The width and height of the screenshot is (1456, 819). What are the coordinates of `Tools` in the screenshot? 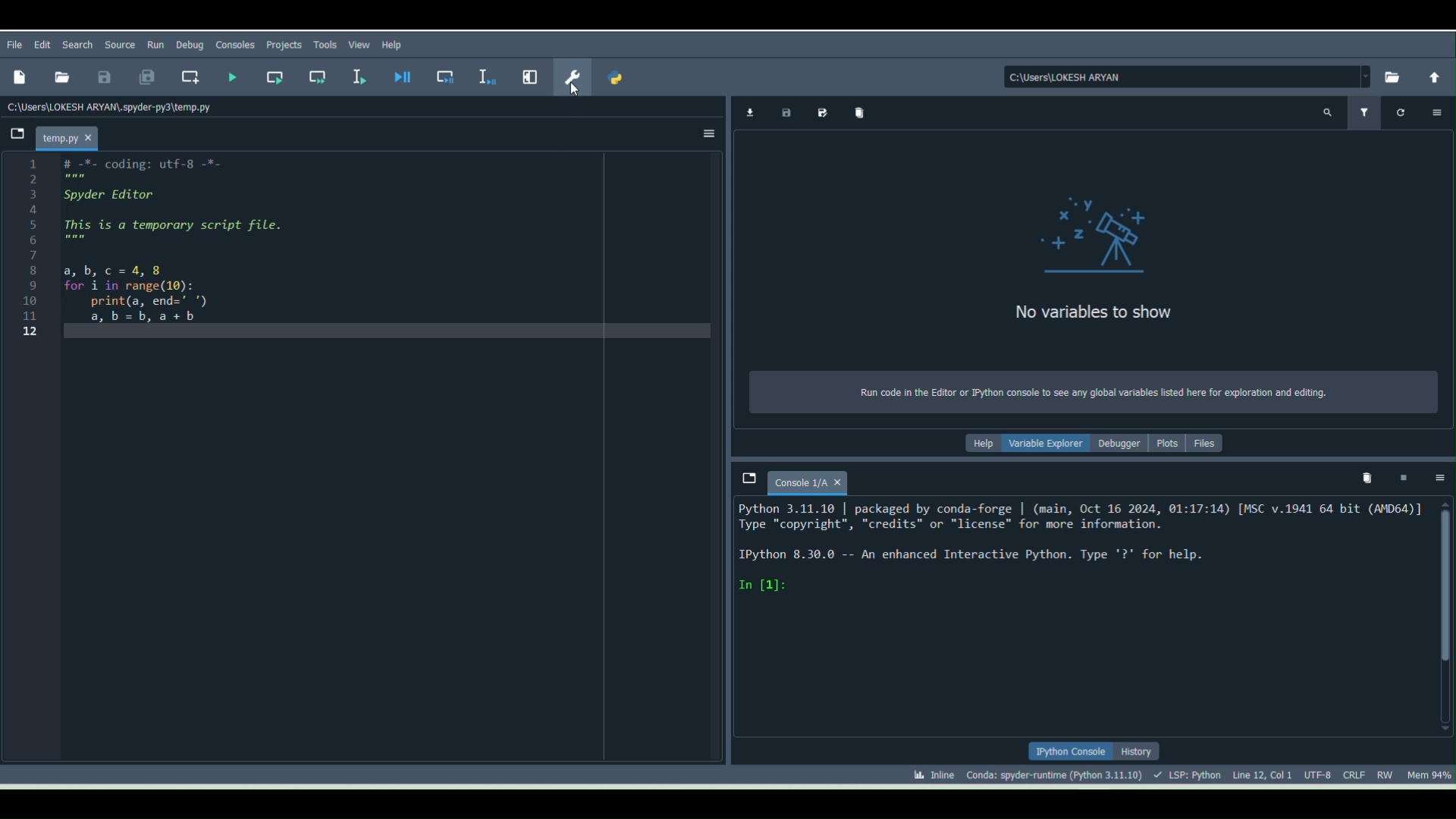 It's located at (328, 45).